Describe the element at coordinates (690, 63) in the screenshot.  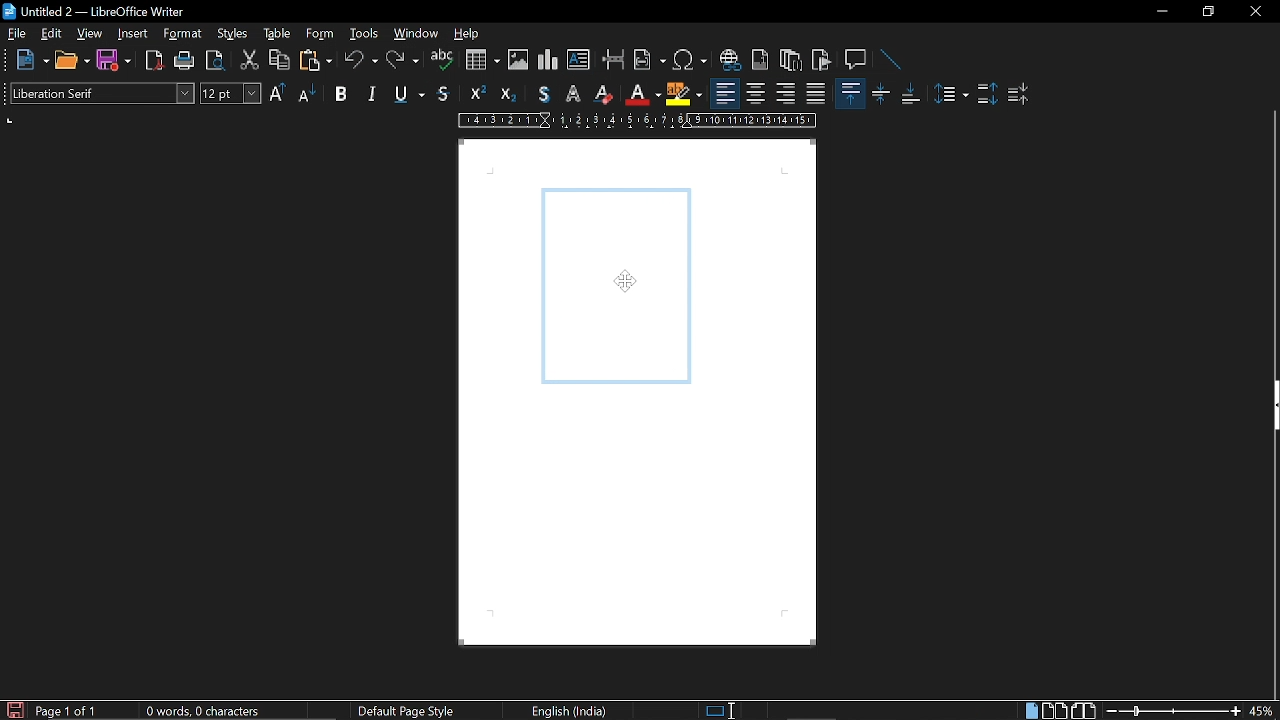
I see `insert symbol` at that location.